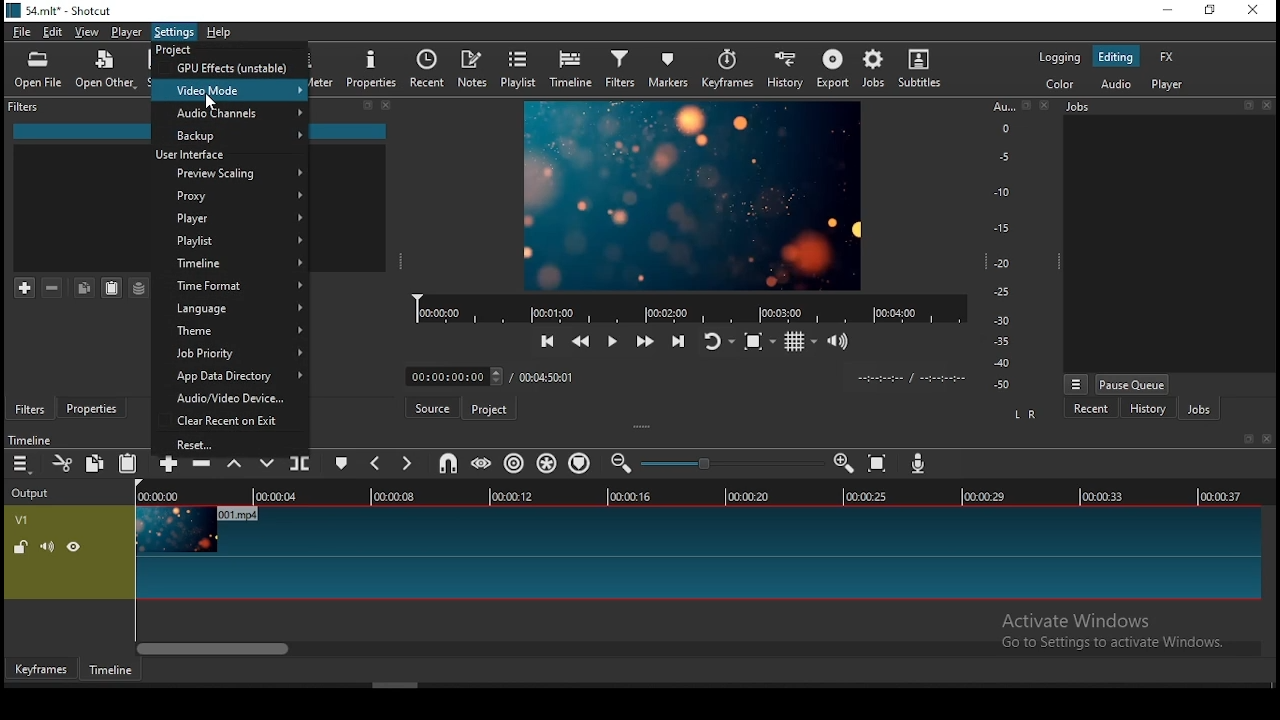 The image size is (1280, 720). I want to click on play quickly backwards, so click(582, 338).